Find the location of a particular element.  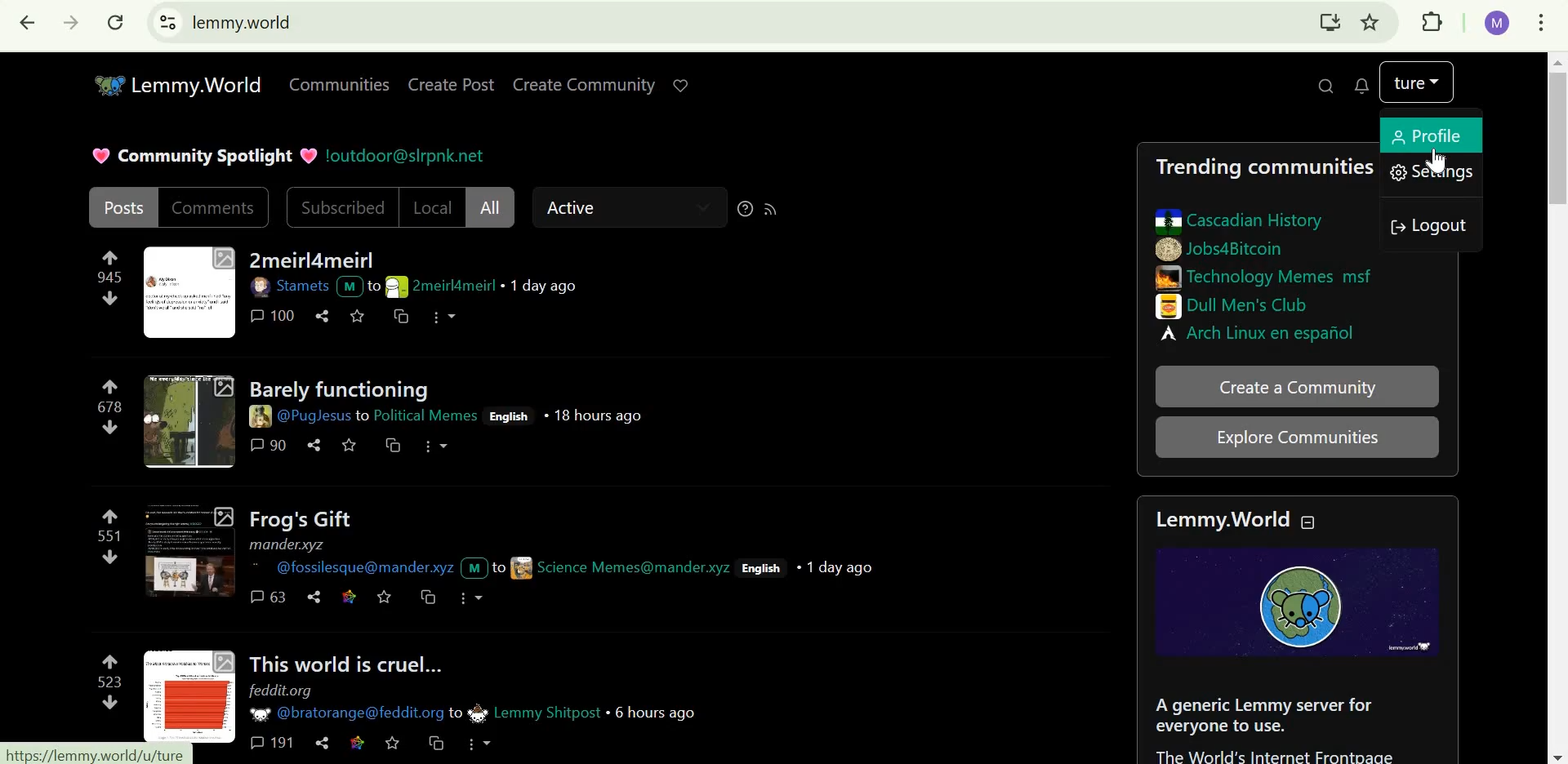

create community is located at coordinates (584, 86).